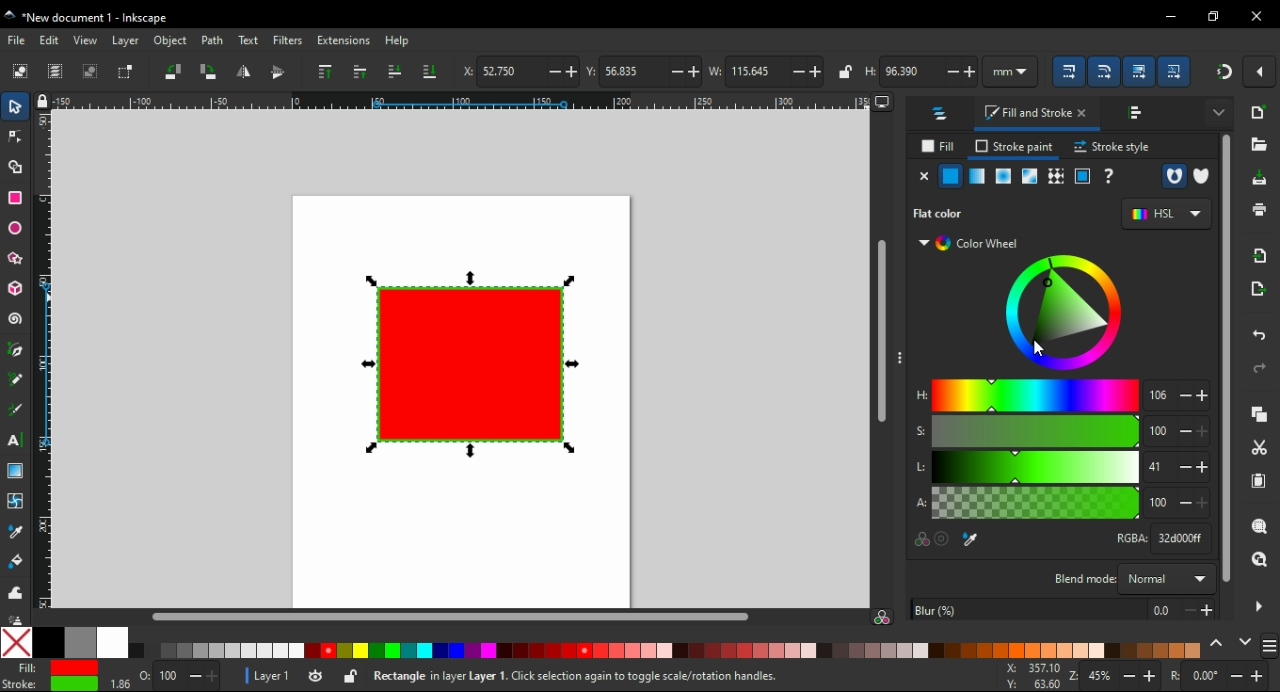  Describe the element at coordinates (1260, 335) in the screenshot. I see `undo` at that location.